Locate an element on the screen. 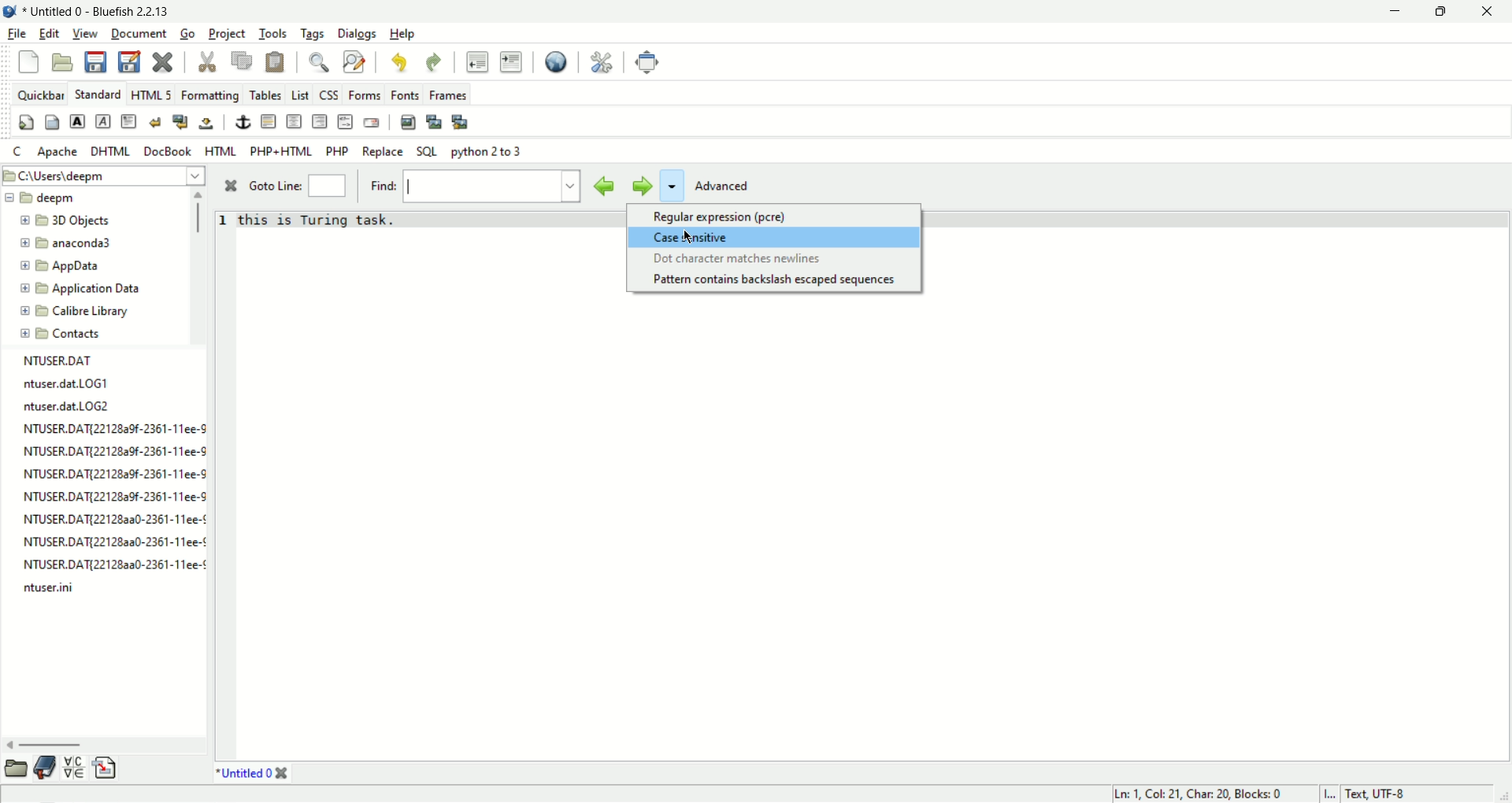 This screenshot has height=803, width=1512. emphasis is located at coordinates (105, 122).